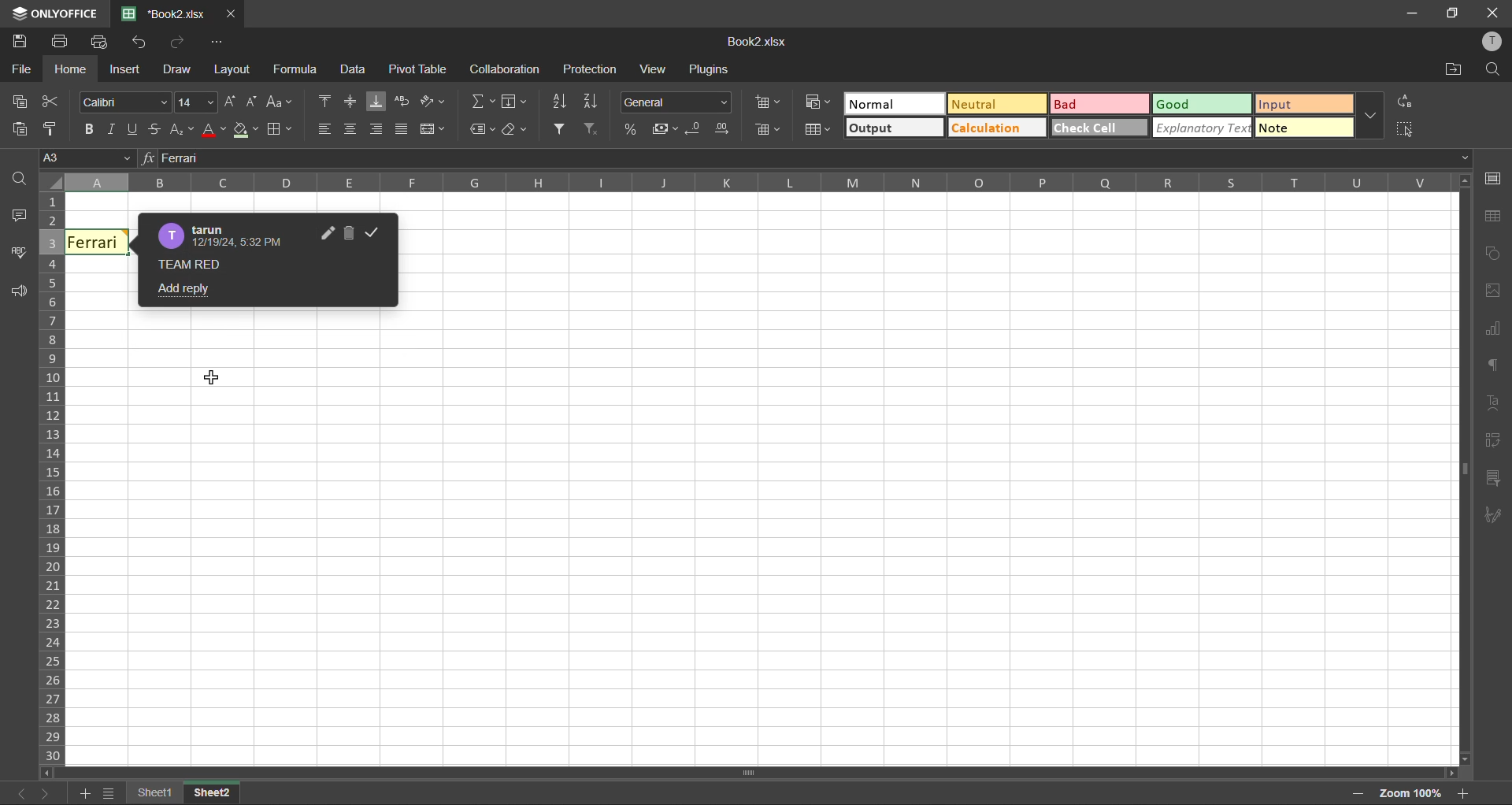  Describe the element at coordinates (1492, 403) in the screenshot. I see `text` at that location.